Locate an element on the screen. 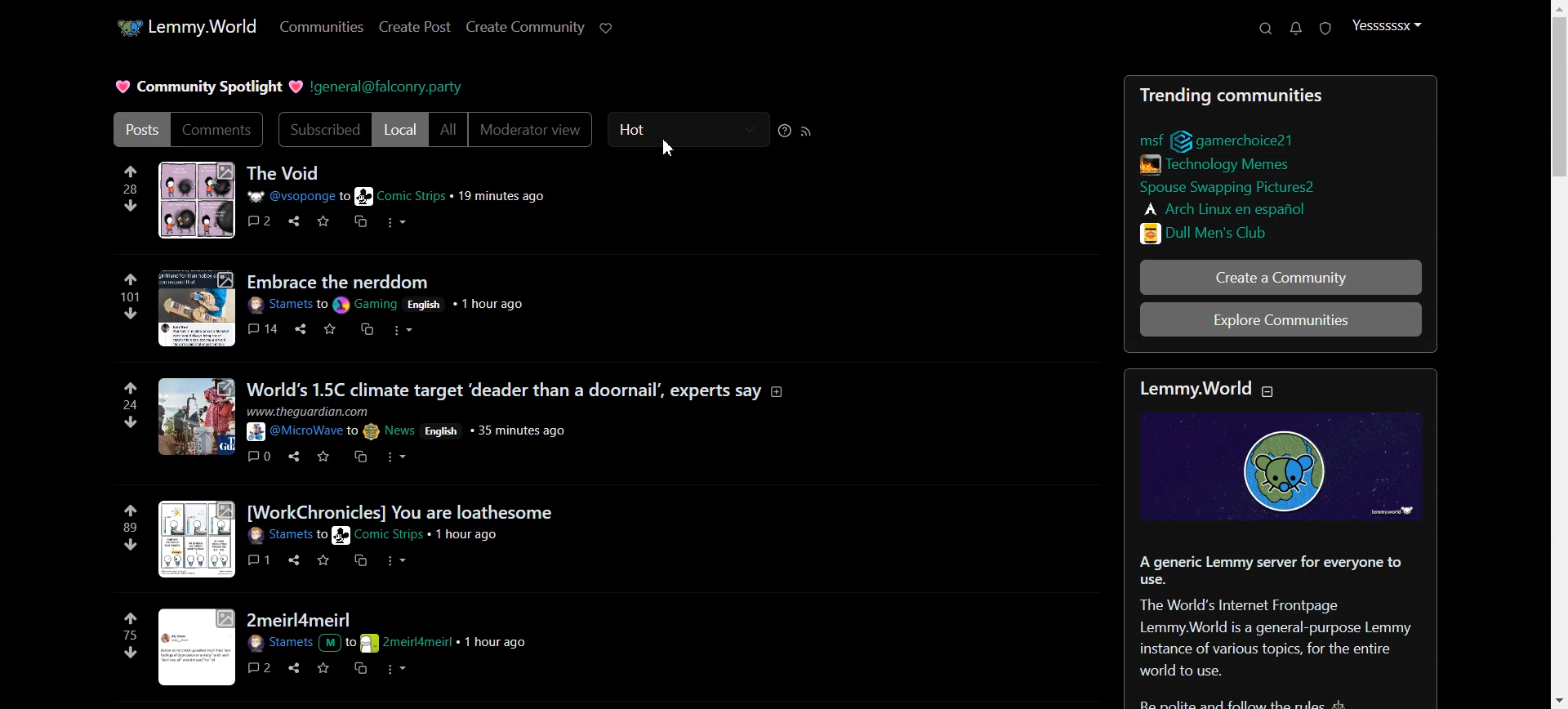 The image size is (1568, 709). more is located at coordinates (399, 331).